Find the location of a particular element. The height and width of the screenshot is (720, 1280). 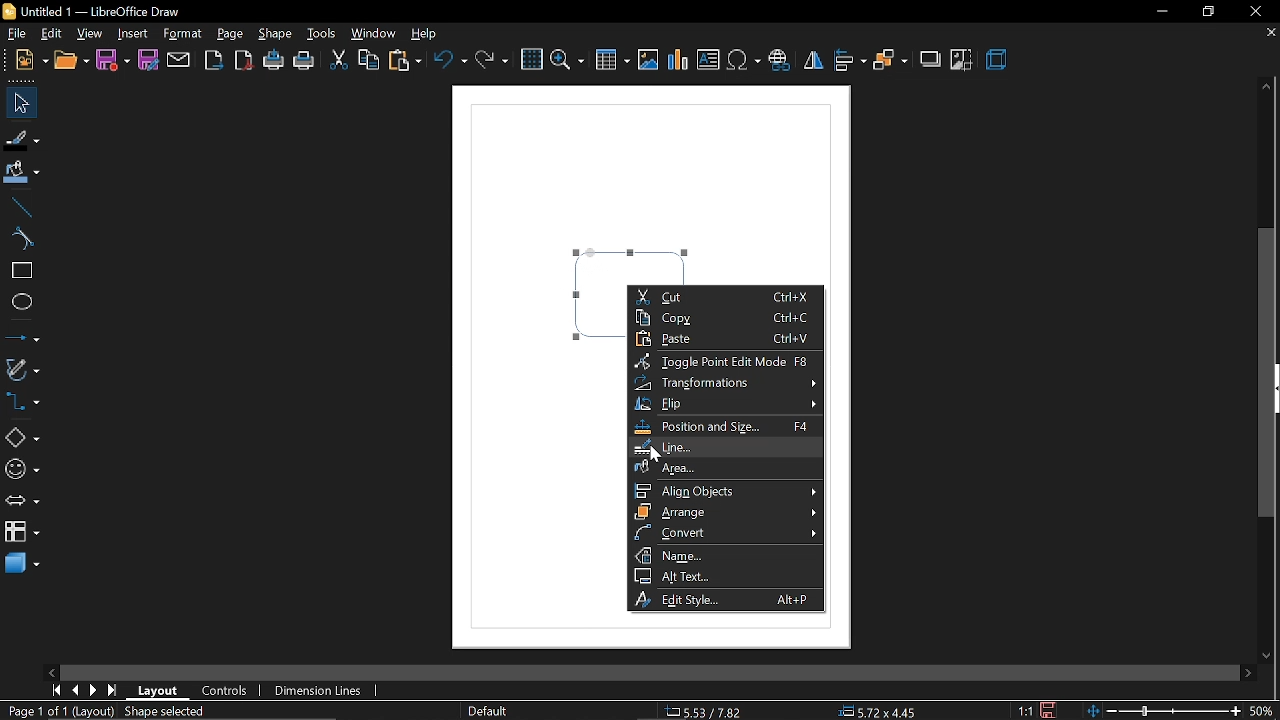

area is located at coordinates (722, 467).